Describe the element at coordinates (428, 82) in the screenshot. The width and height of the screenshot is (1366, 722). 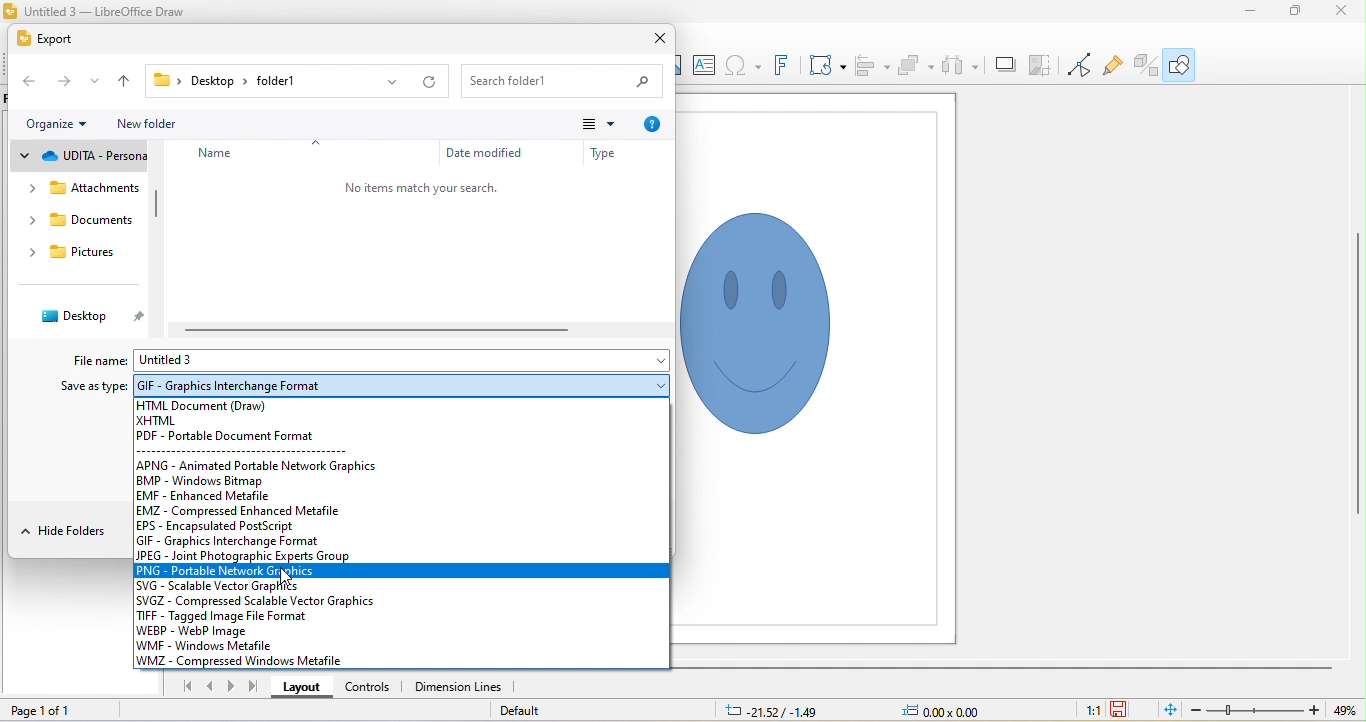
I see `refresh` at that location.